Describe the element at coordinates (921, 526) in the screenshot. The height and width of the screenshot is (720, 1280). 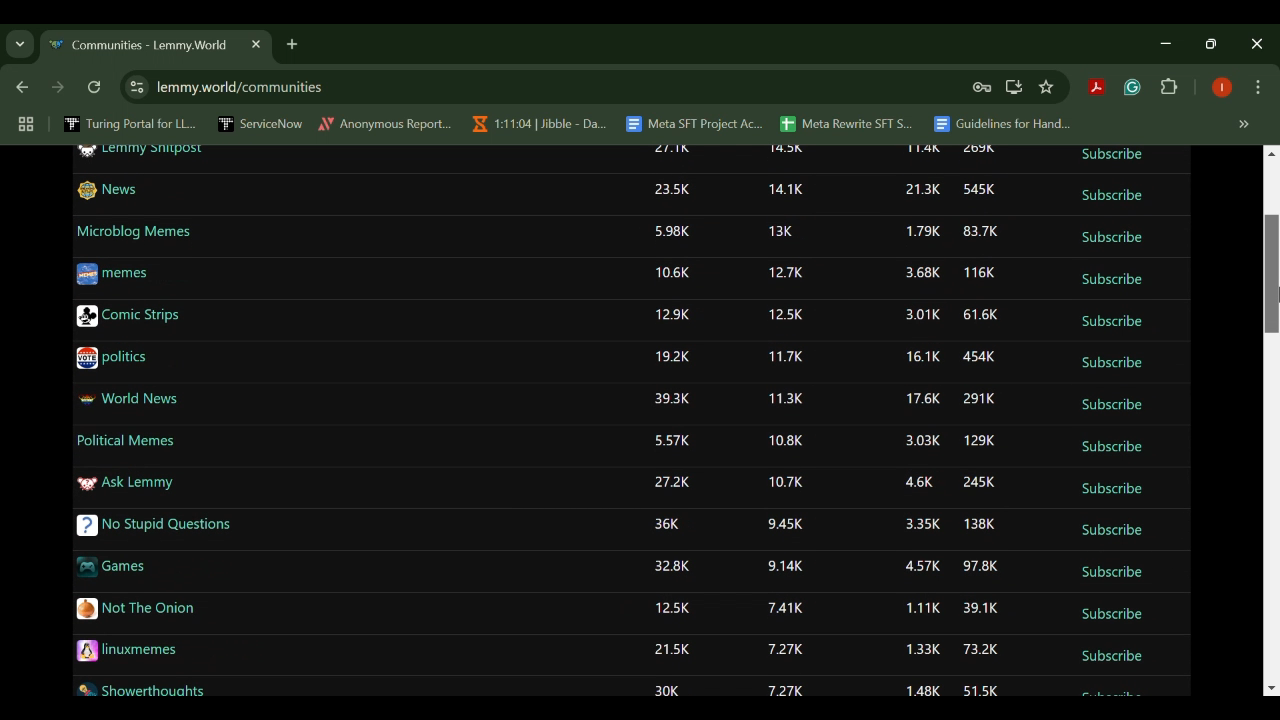
I see `3.35K` at that location.